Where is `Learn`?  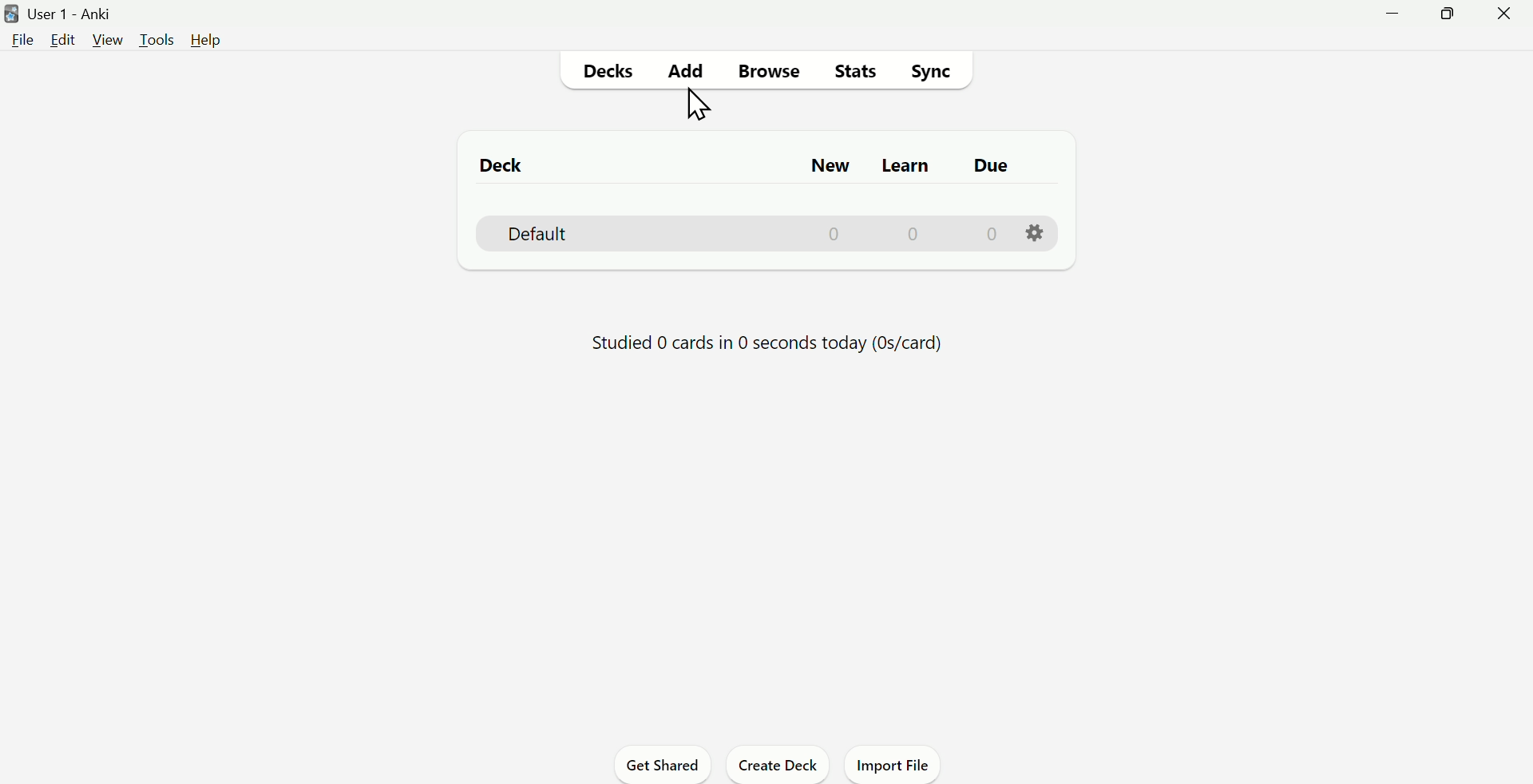 Learn is located at coordinates (903, 166).